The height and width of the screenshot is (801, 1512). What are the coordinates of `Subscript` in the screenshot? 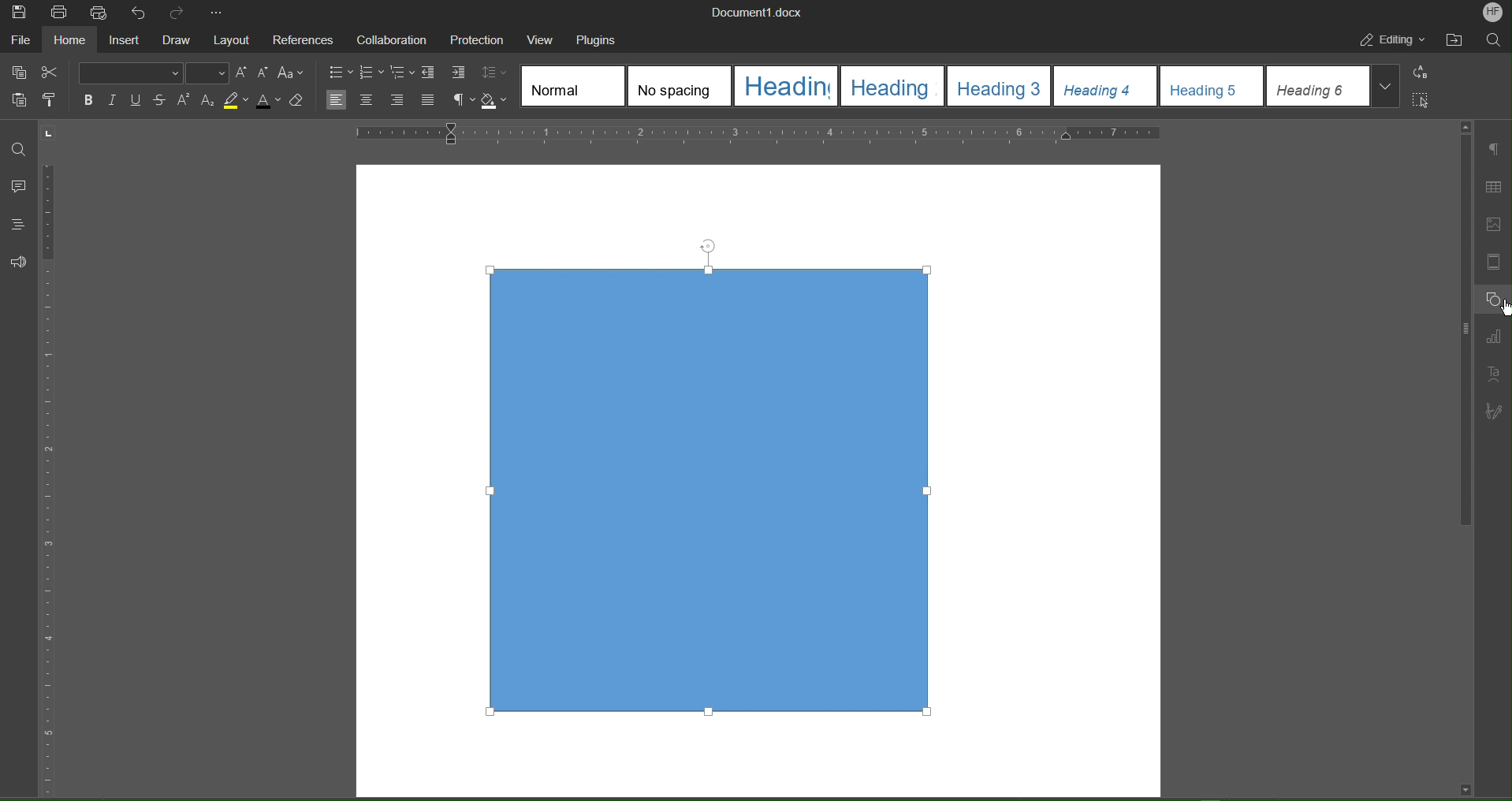 It's located at (208, 102).